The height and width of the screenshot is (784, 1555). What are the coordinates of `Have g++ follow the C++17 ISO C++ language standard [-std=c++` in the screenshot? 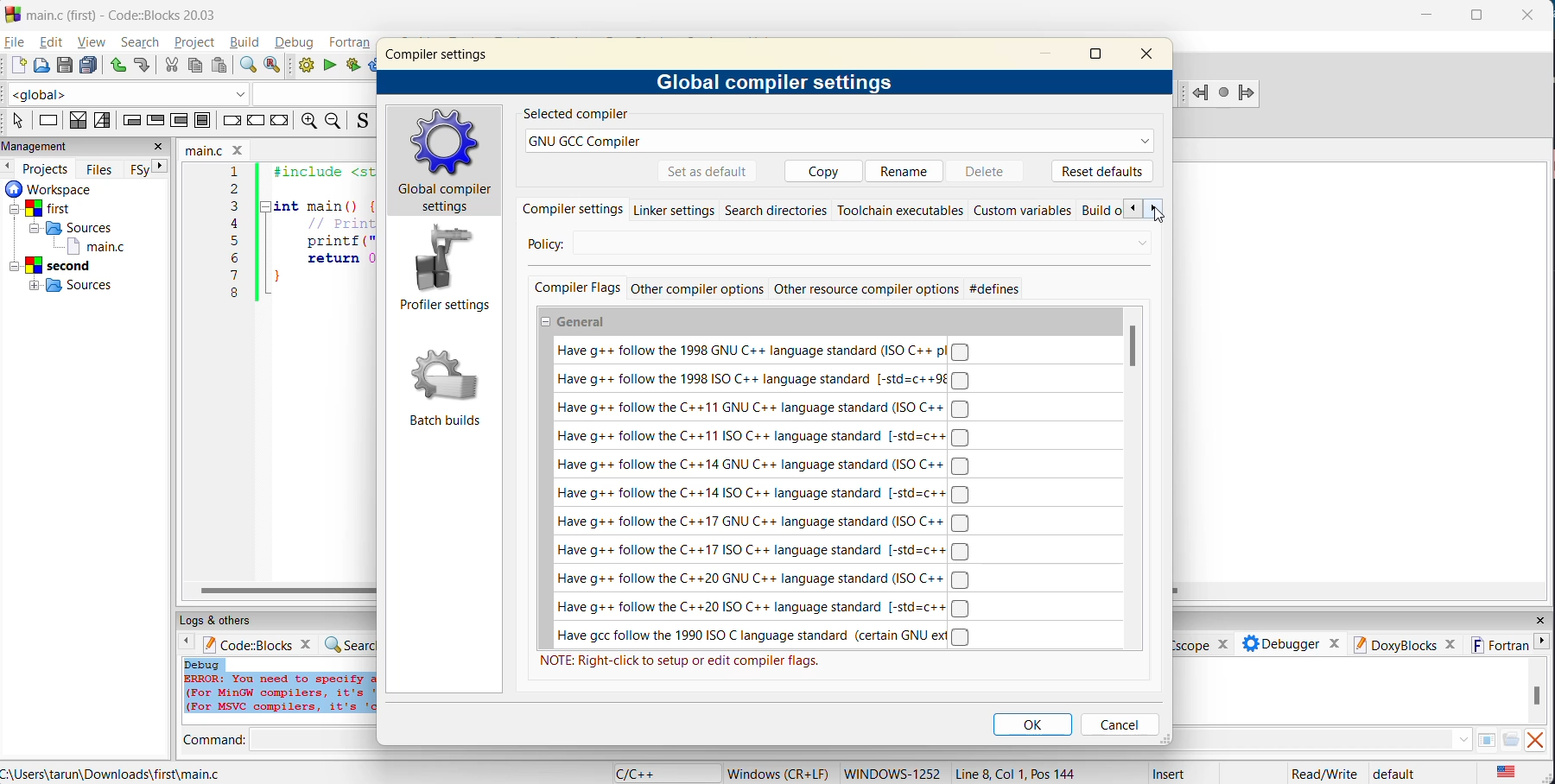 It's located at (768, 552).